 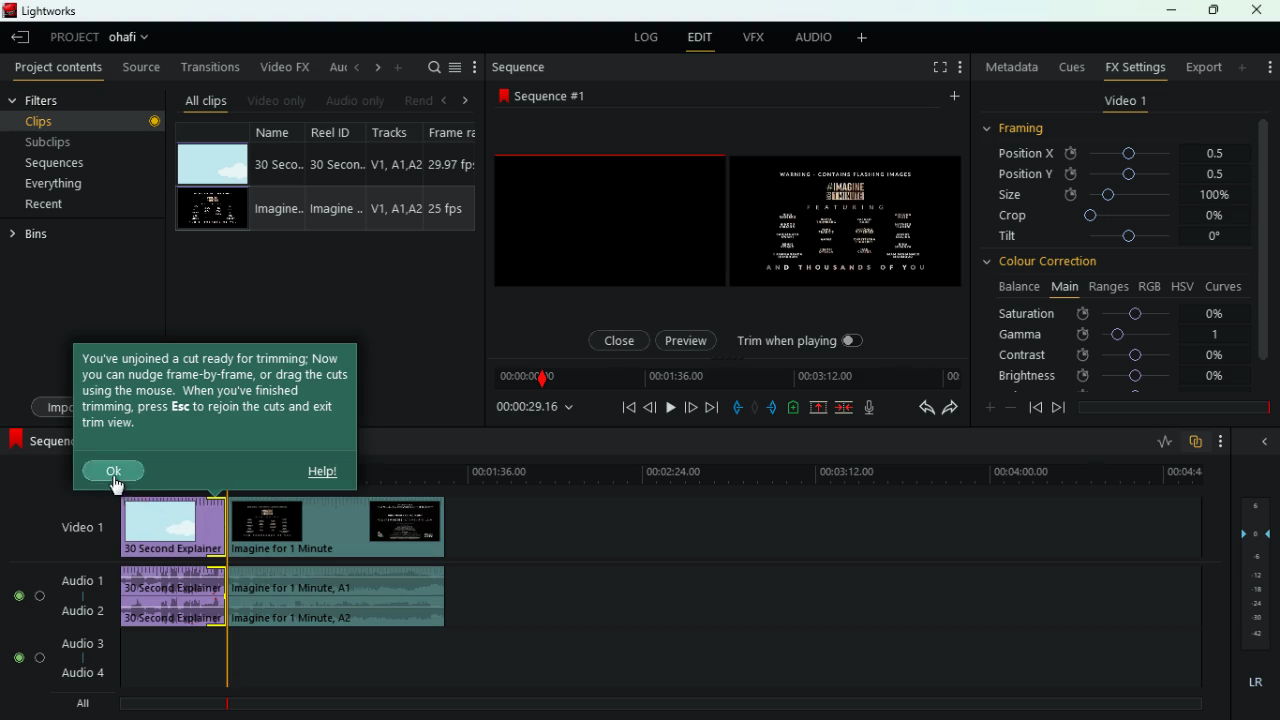 I want to click on mic, so click(x=878, y=409).